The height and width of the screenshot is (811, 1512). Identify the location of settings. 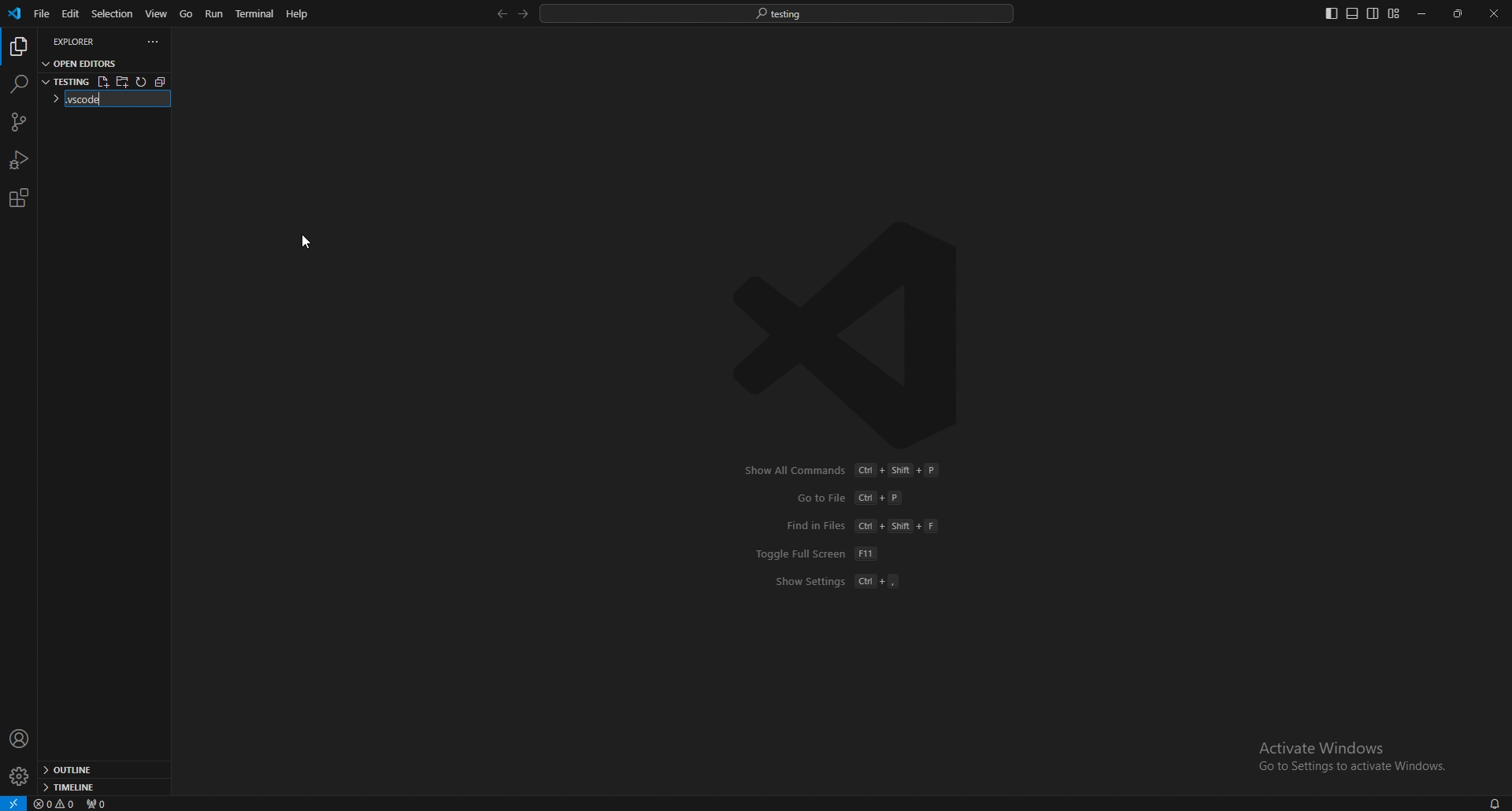
(18, 777).